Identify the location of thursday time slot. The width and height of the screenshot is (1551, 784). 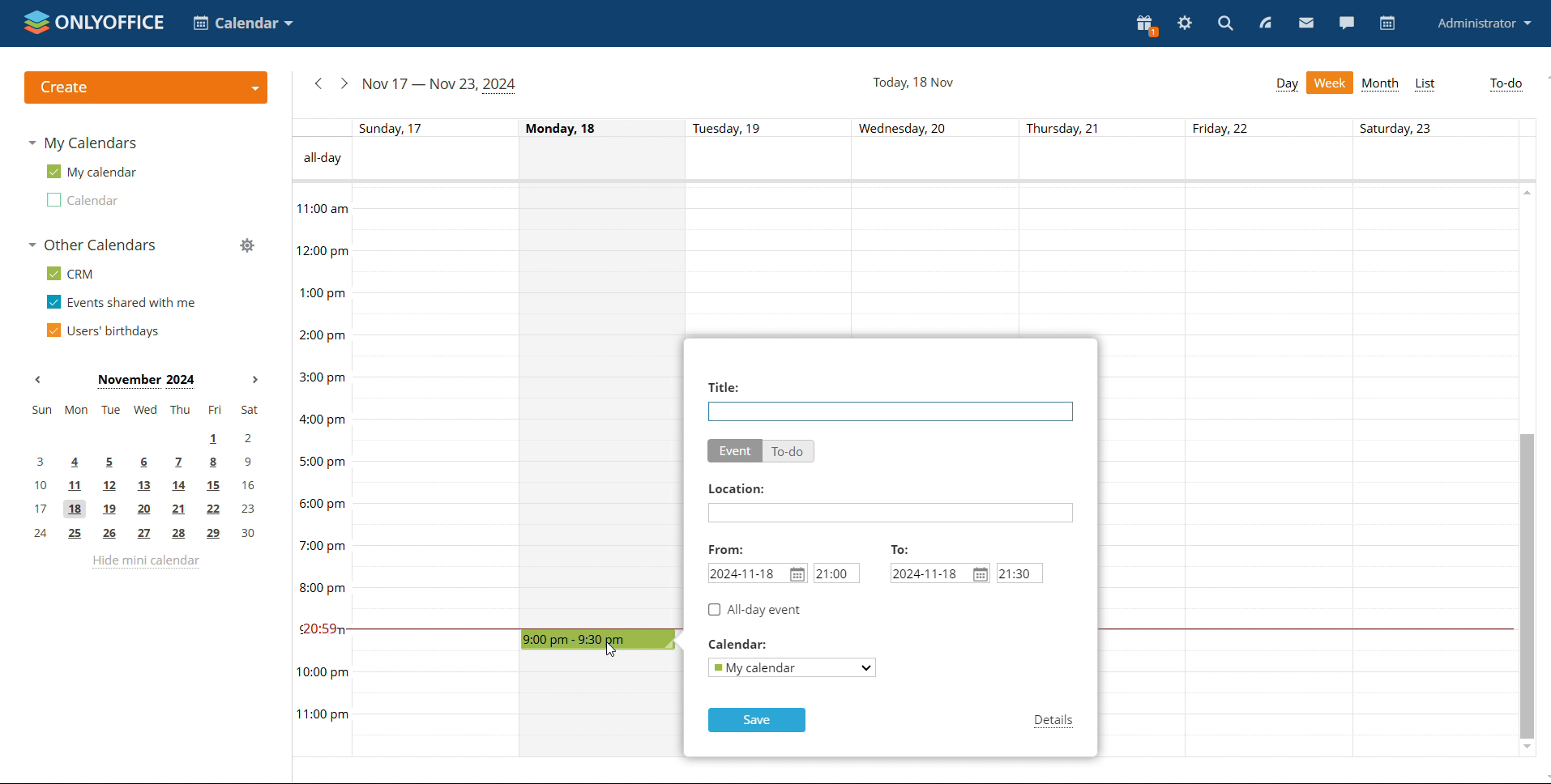
(1060, 259).